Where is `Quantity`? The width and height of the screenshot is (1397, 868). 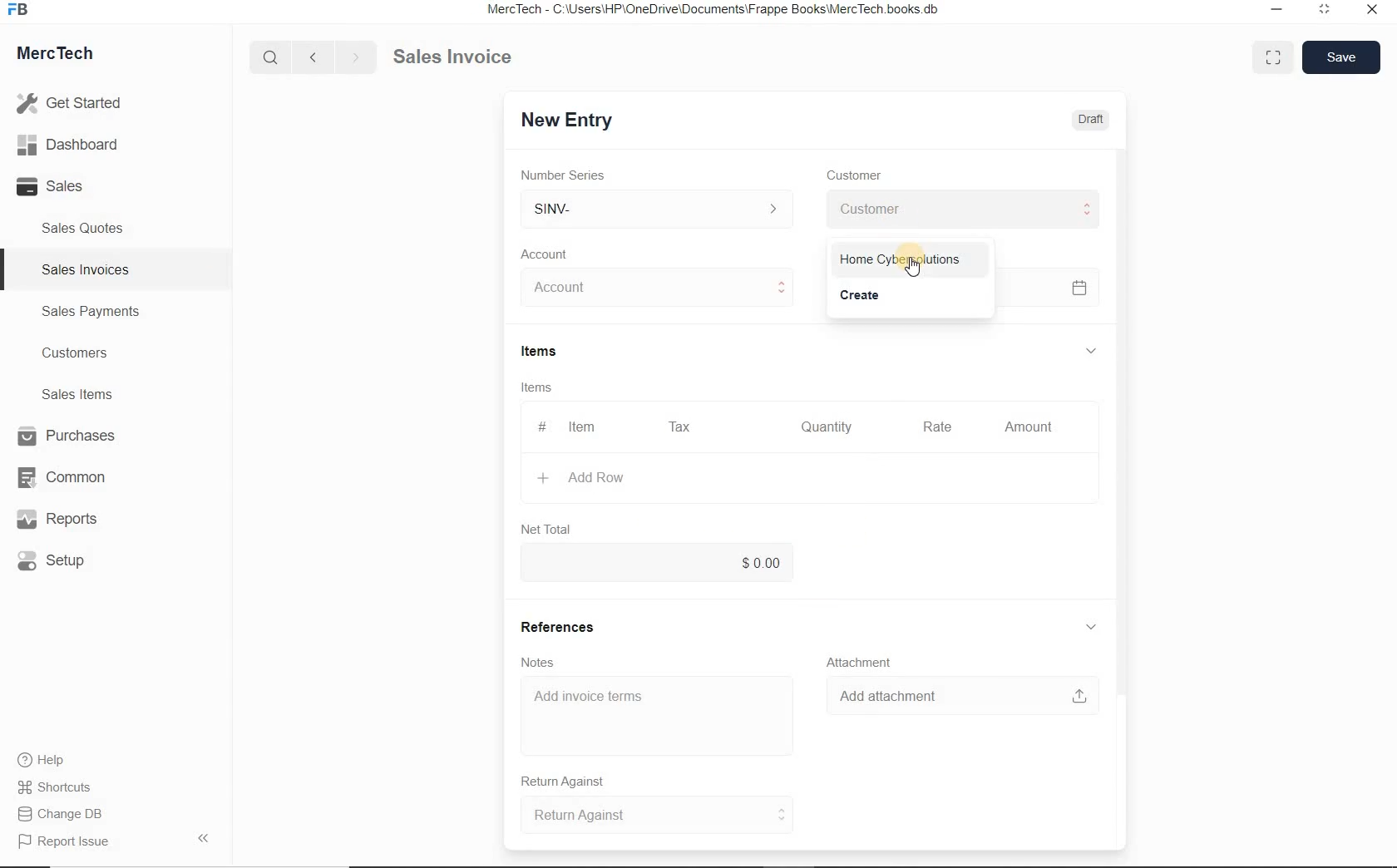 Quantity is located at coordinates (822, 430).